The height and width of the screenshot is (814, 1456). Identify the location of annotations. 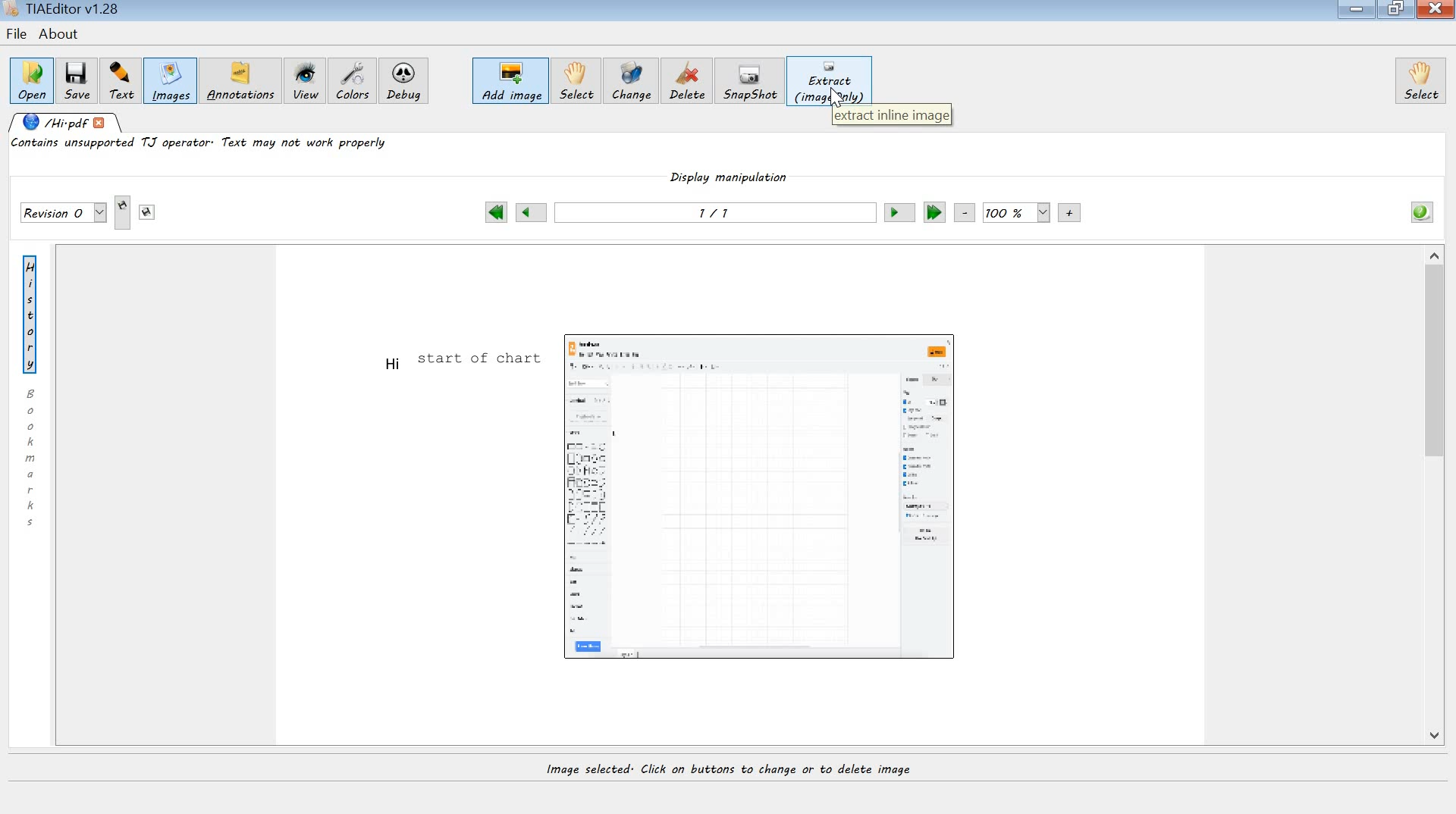
(243, 83).